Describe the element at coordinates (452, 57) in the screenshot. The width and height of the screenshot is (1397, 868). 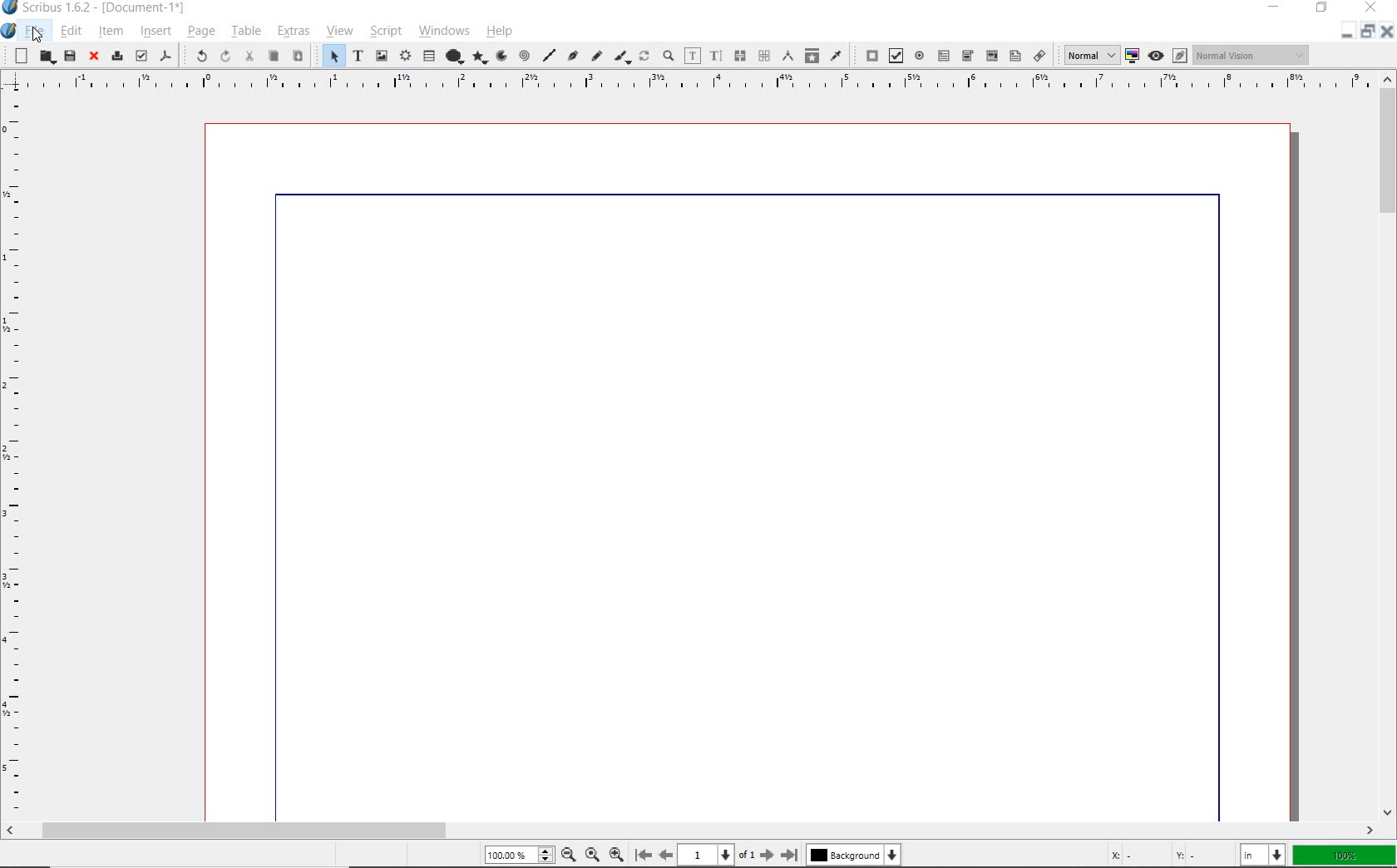
I see `shape` at that location.